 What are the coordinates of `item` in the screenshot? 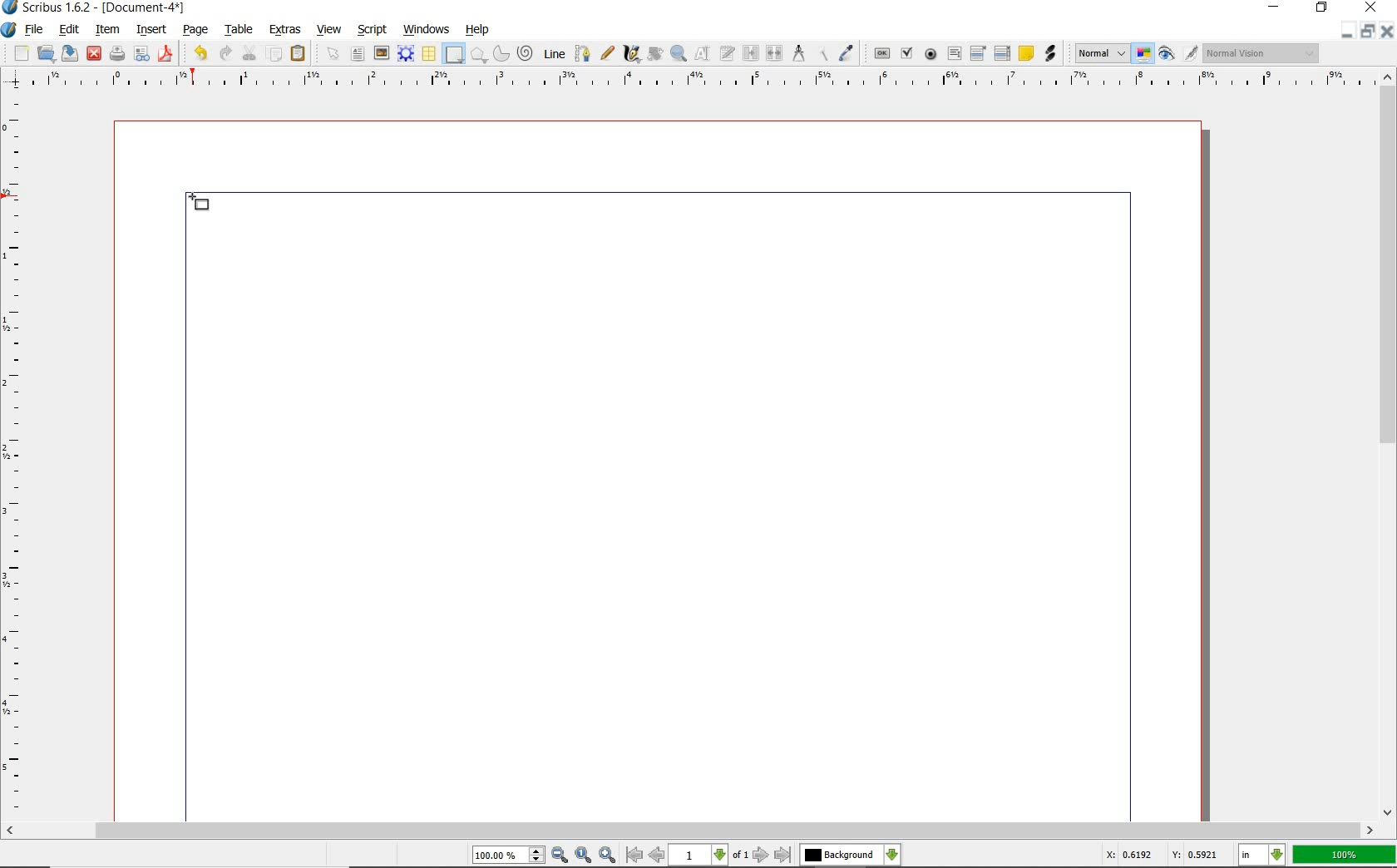 It's located at (106, 29).